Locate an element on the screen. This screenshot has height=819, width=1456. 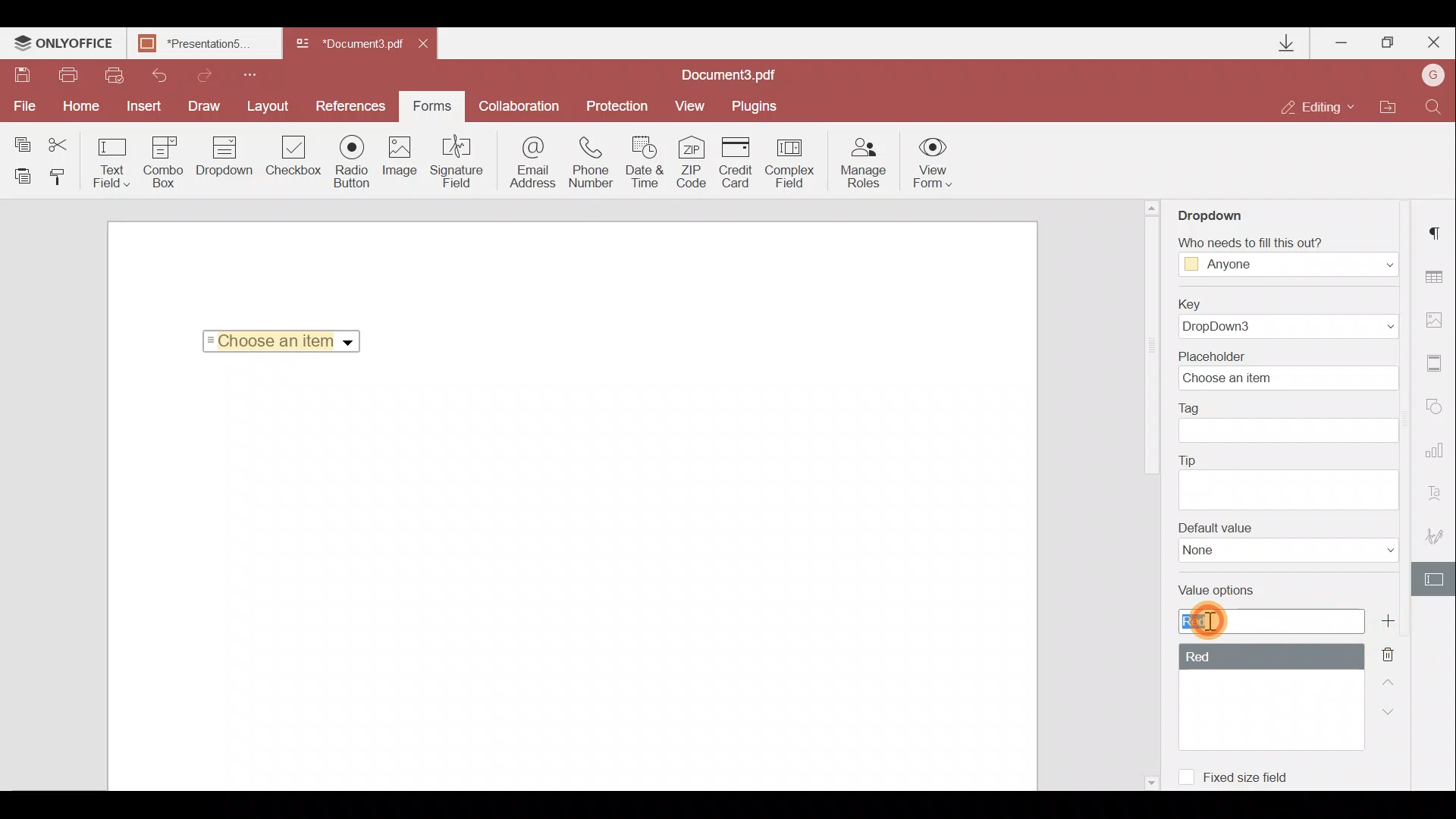
Default value is located at coordinates (1282, 547).